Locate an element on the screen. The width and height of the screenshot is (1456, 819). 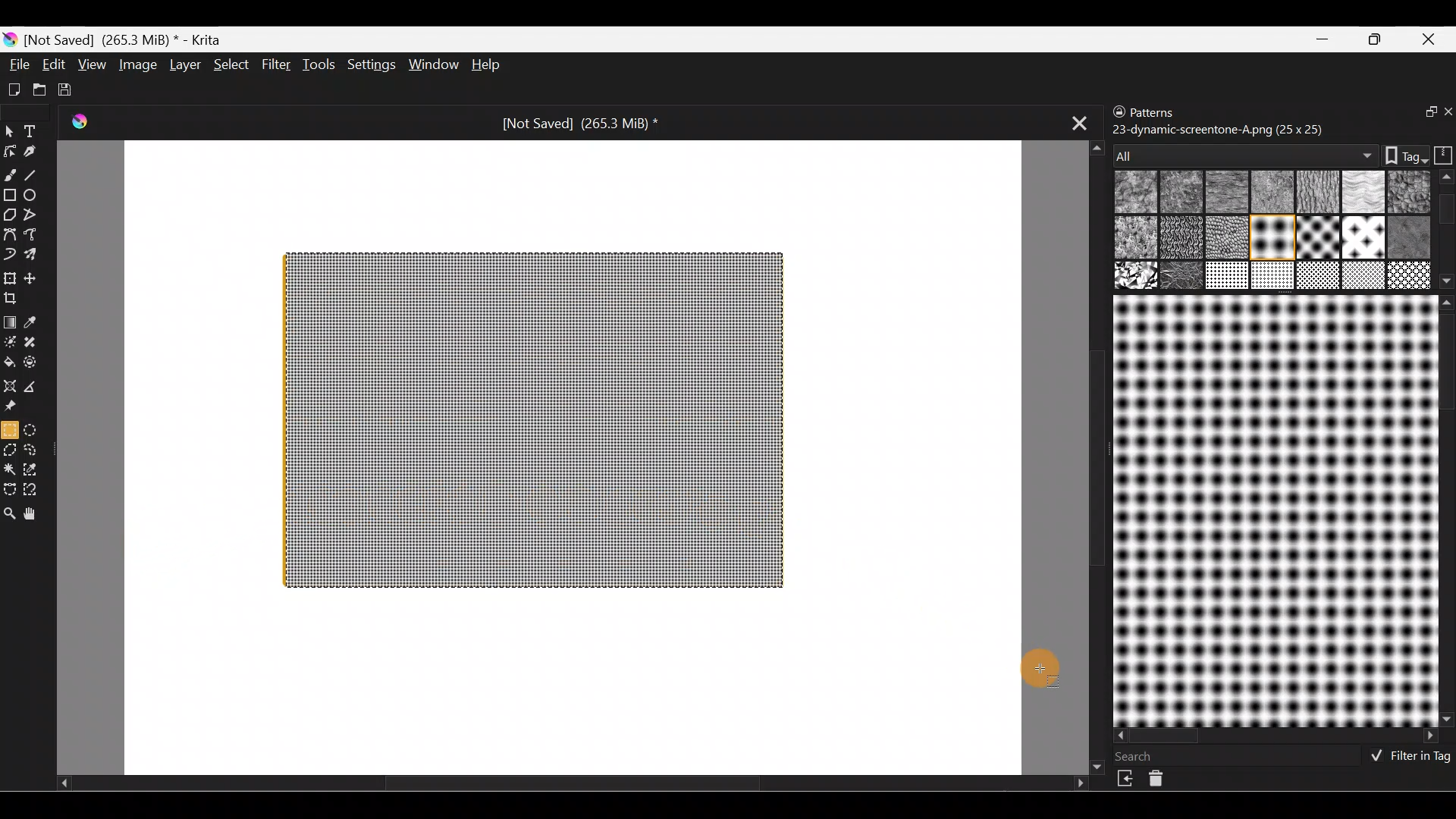
Tools is located at coordinates (318, 66).